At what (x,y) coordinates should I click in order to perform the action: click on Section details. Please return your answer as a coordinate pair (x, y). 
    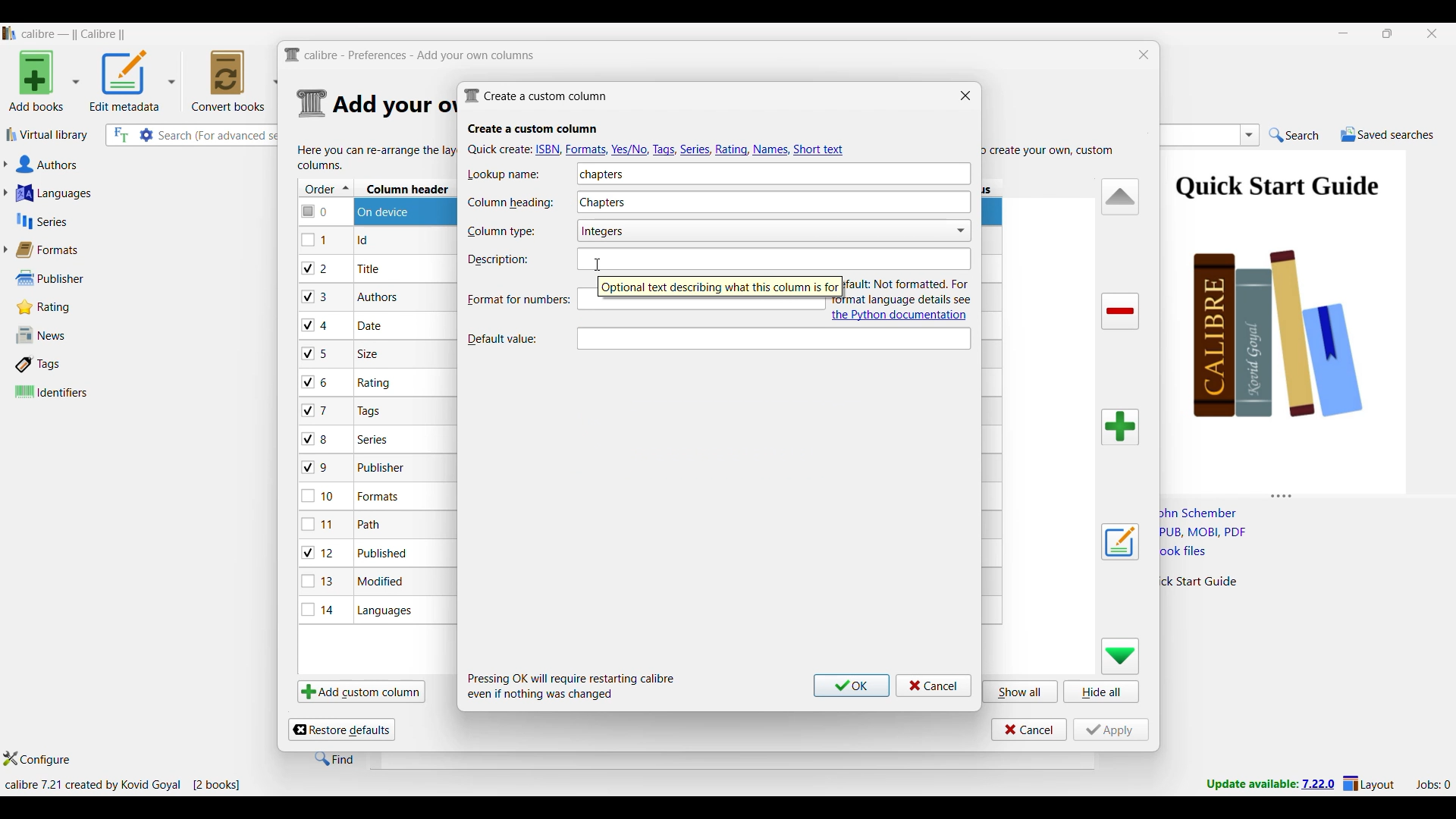
    Looking at the image, I should click on (392, 105).